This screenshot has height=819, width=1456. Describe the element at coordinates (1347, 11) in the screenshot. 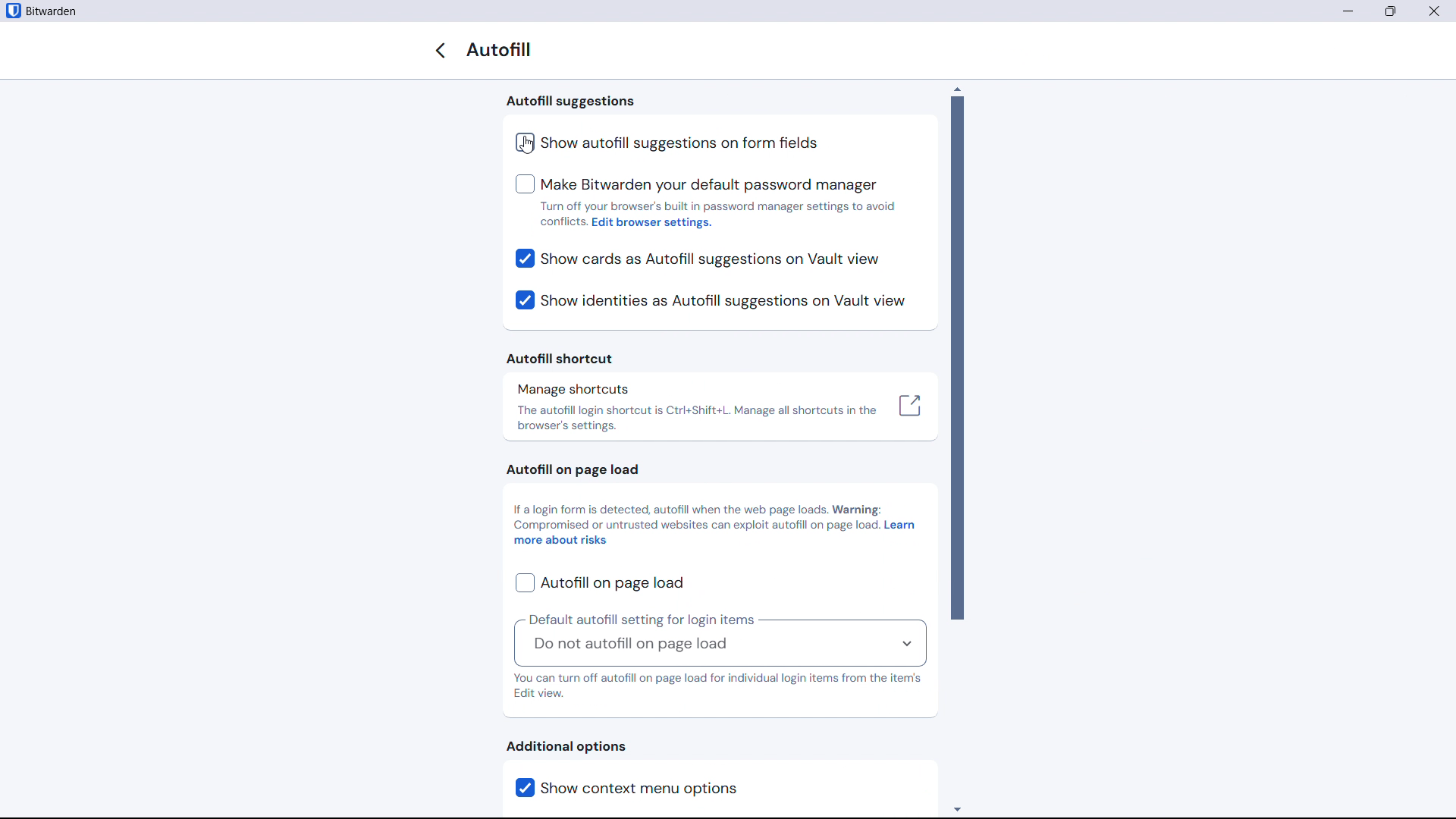

I see `minimise ` at that location.